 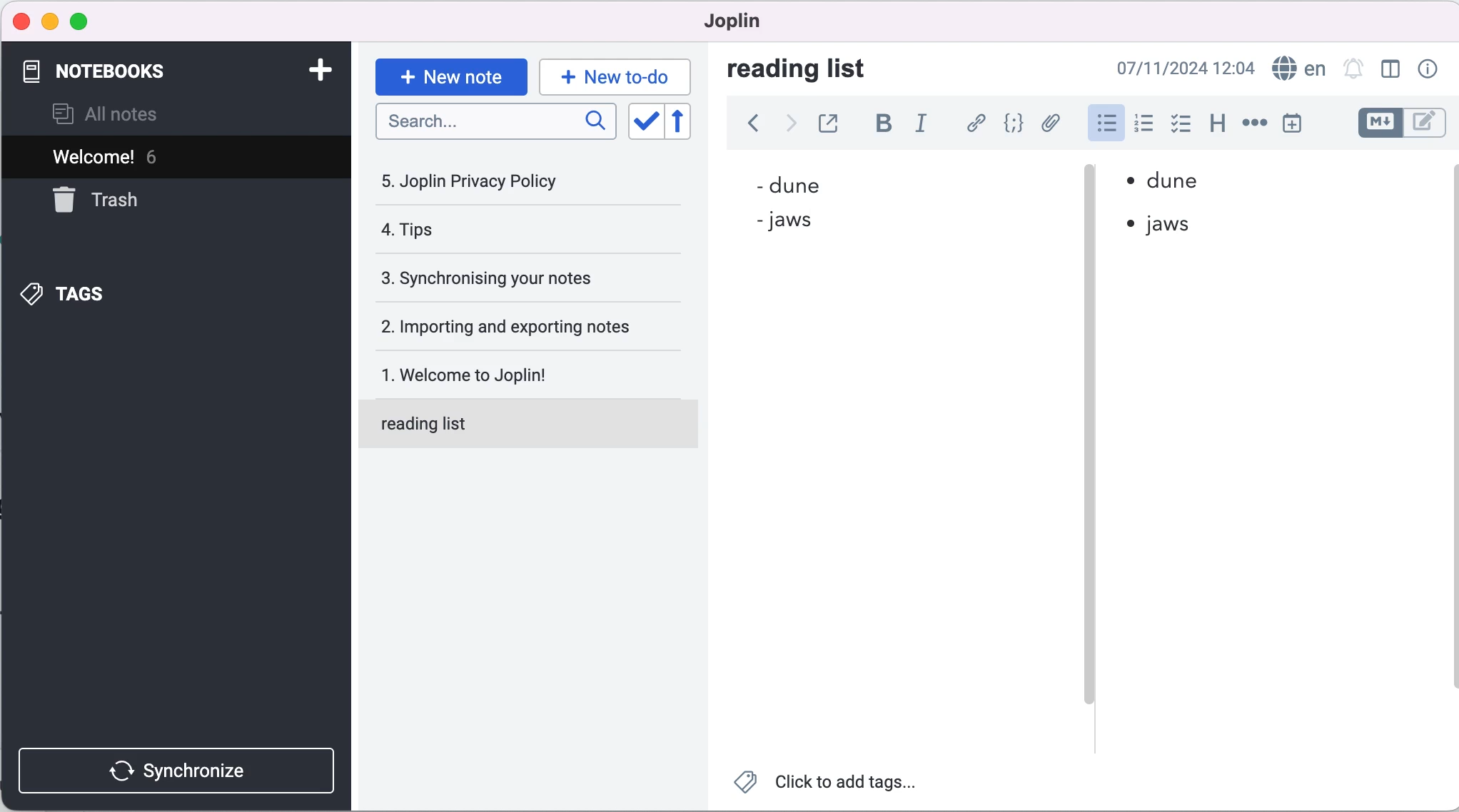 What do you see at coordinates (127, 113) in the screenshot?
I see `all notes` at bounding box center [127, 113].